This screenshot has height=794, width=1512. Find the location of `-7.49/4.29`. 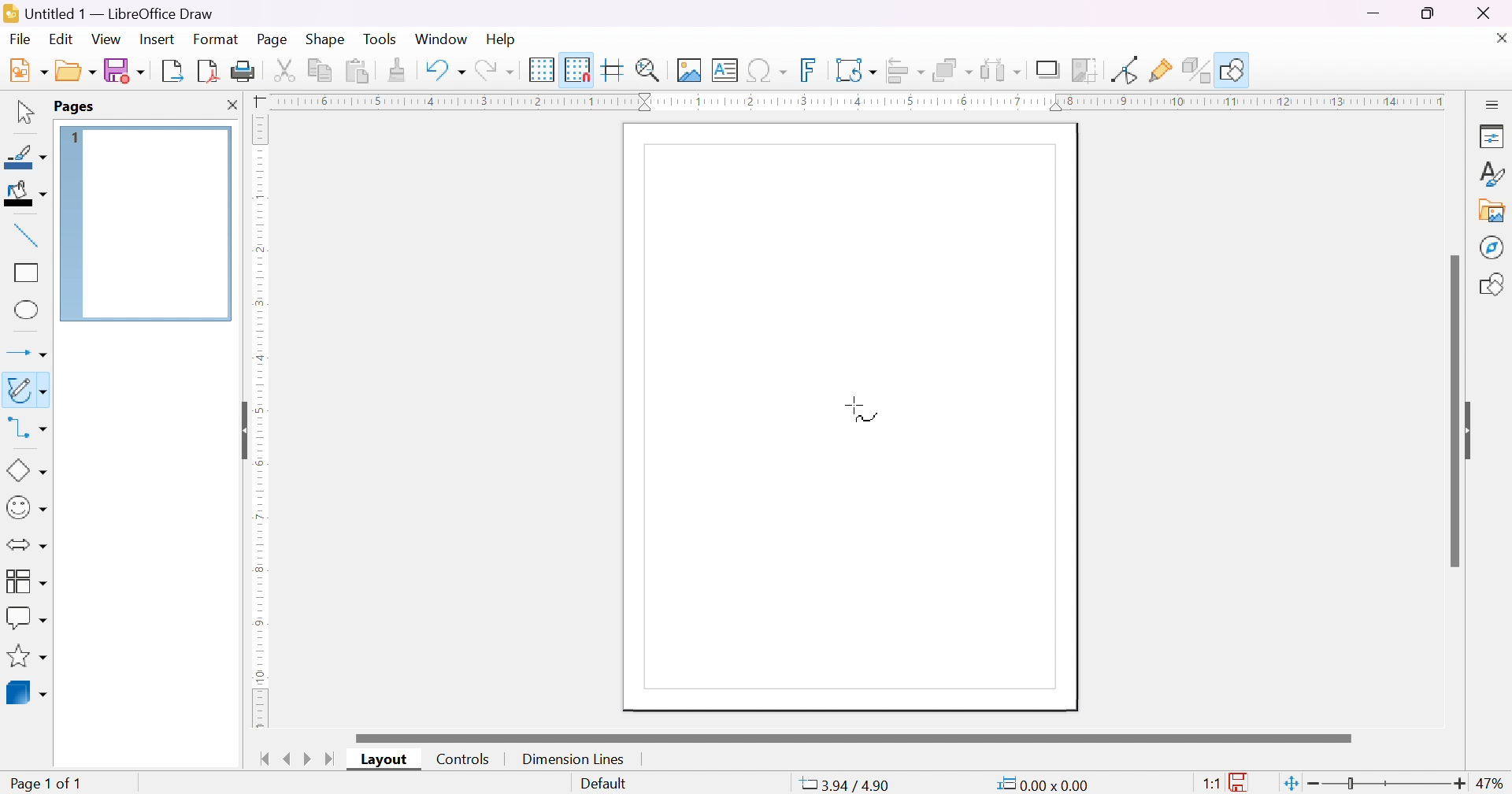

-7.49/4.29 is located at coordinates (846, 785).